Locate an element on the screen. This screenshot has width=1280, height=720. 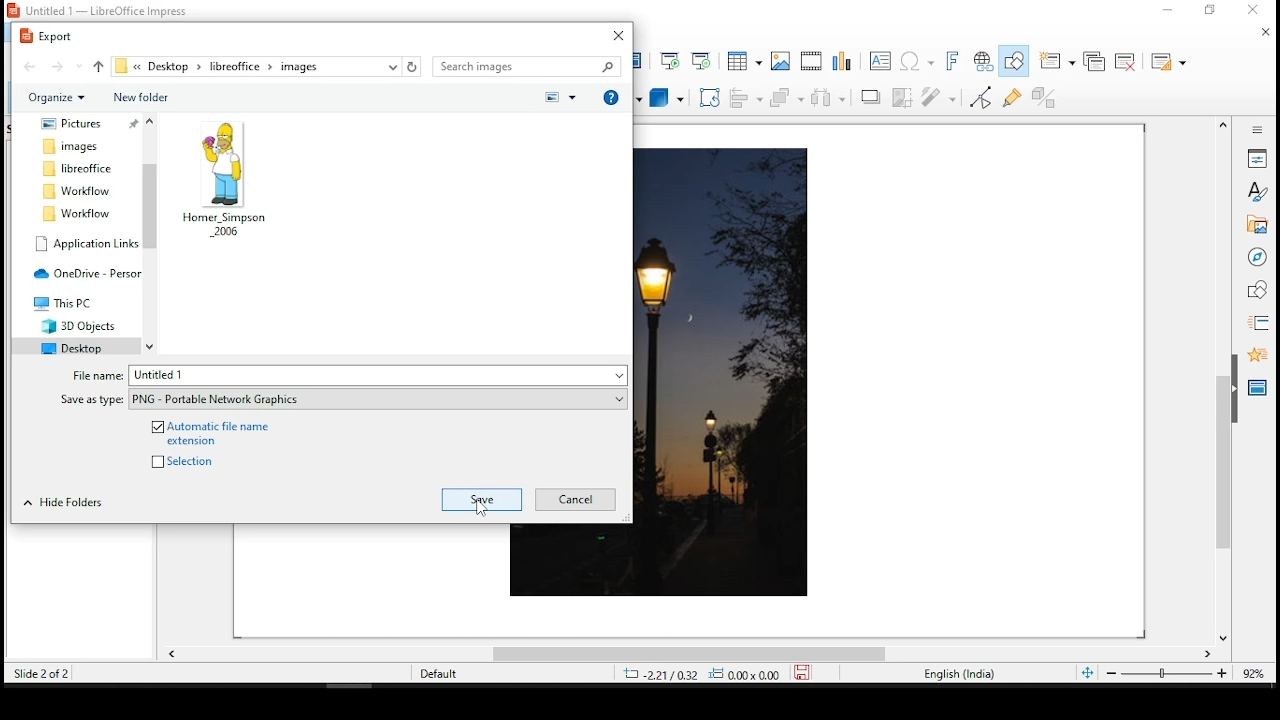
duplicate slide is located at coordinates (1096, 63).